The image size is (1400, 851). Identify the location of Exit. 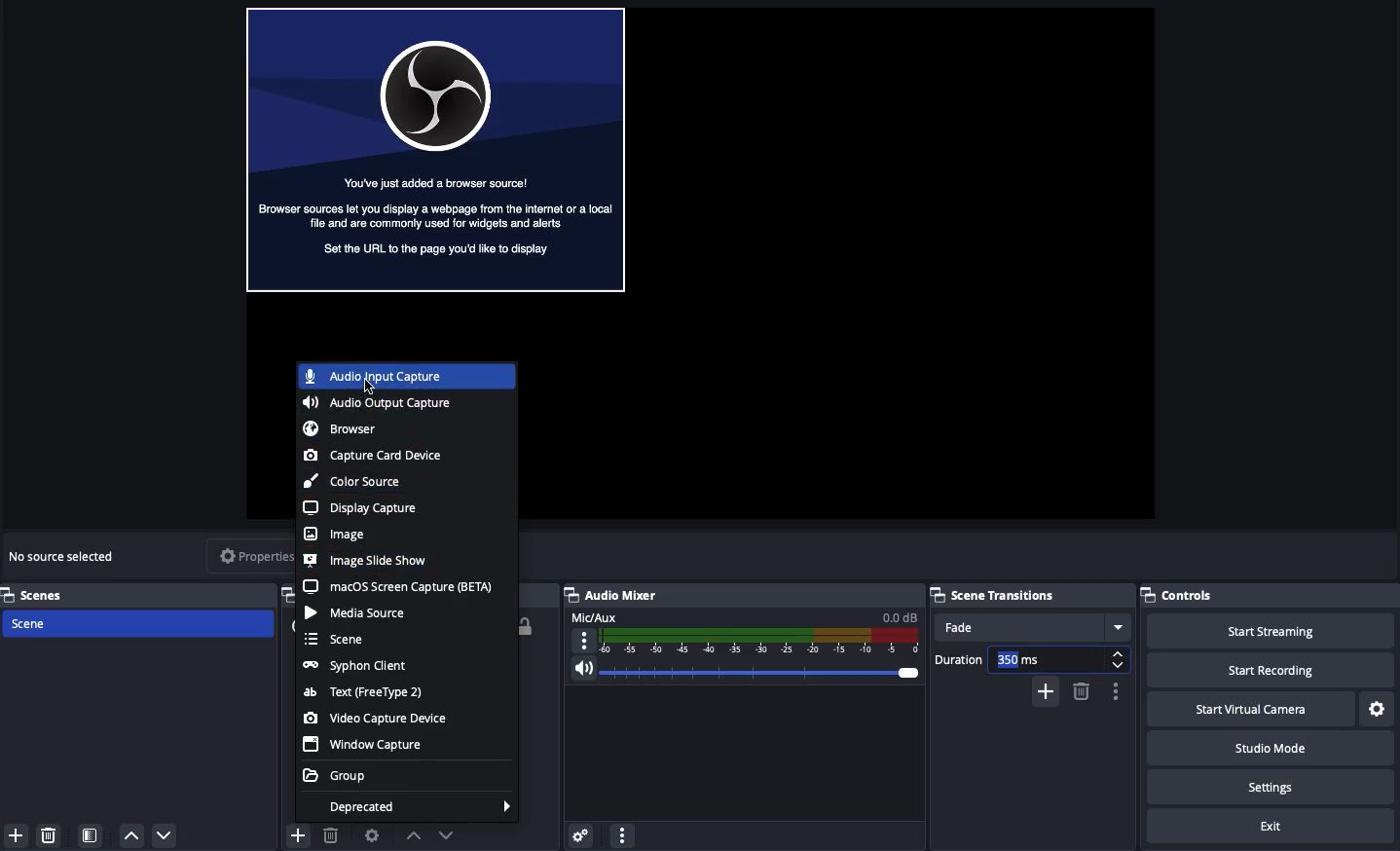
(1253, 827).